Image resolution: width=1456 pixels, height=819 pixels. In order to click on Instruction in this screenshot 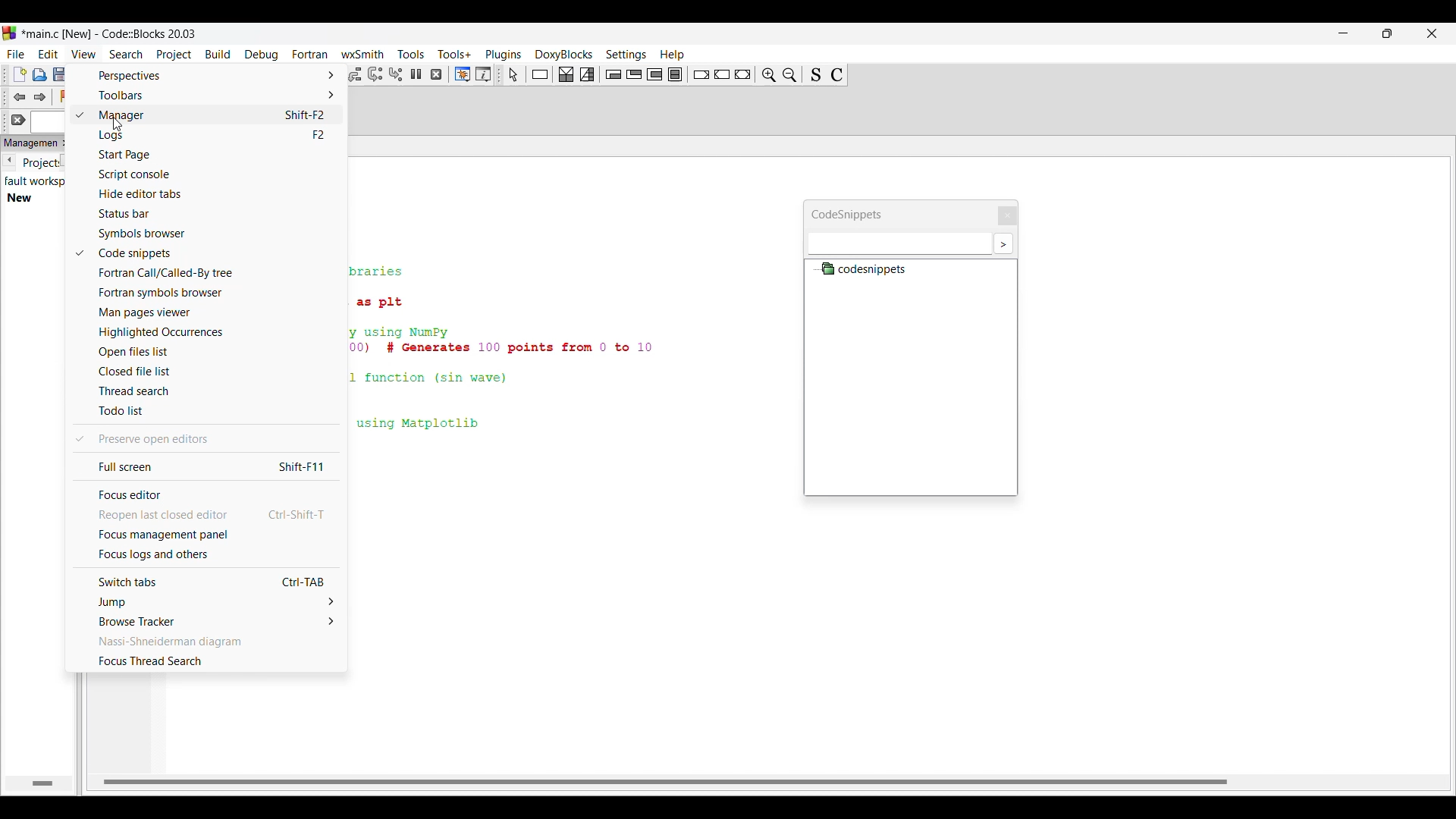, I will do `click(540, 74)`.